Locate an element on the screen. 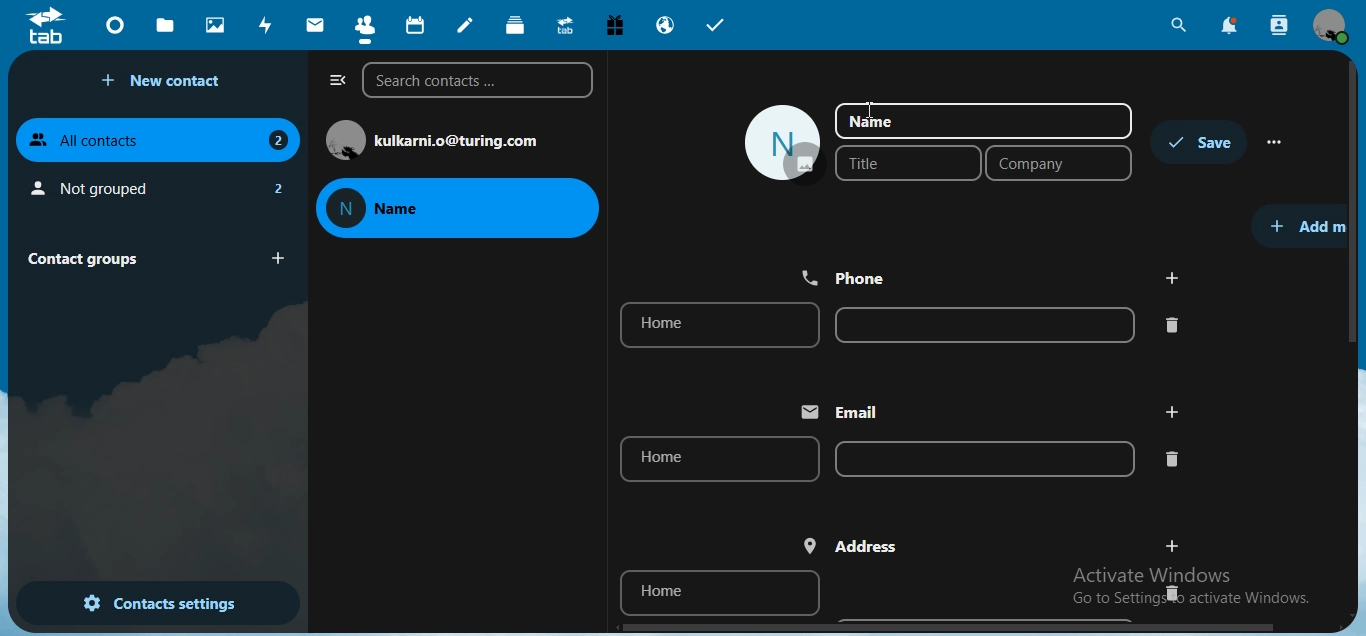  title is located at coordinates (901, 163).